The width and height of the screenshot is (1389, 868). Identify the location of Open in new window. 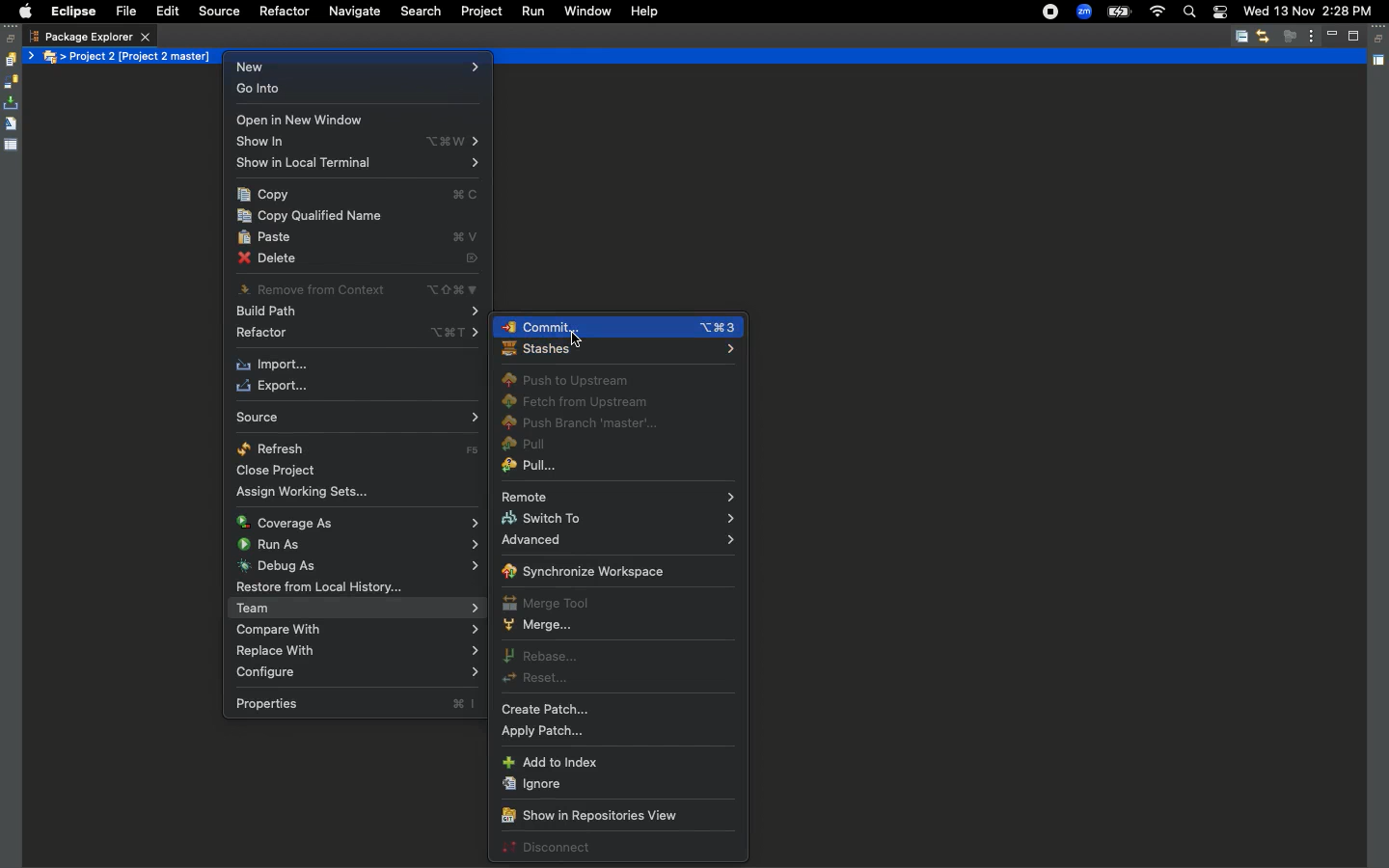
(302, 121).